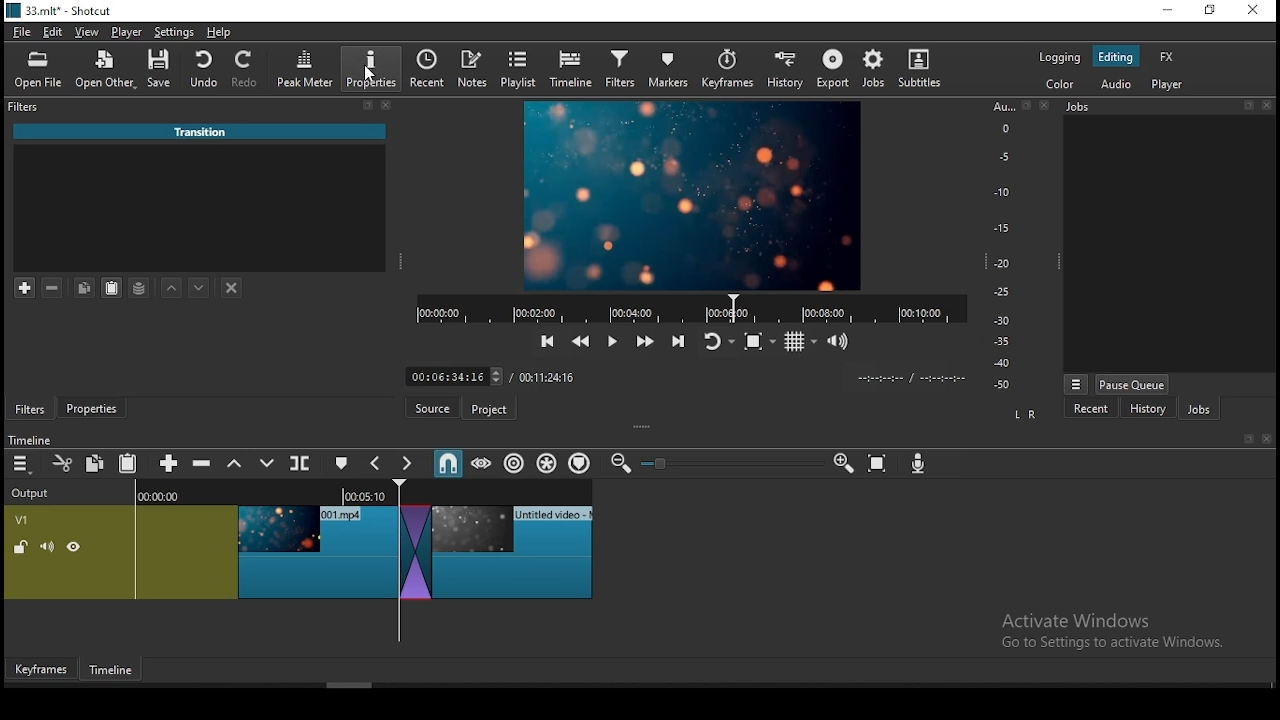  What do you see at coordinates (110, 287) in the screenshot?
I see `paste filter` at bounding box center [110, 287].